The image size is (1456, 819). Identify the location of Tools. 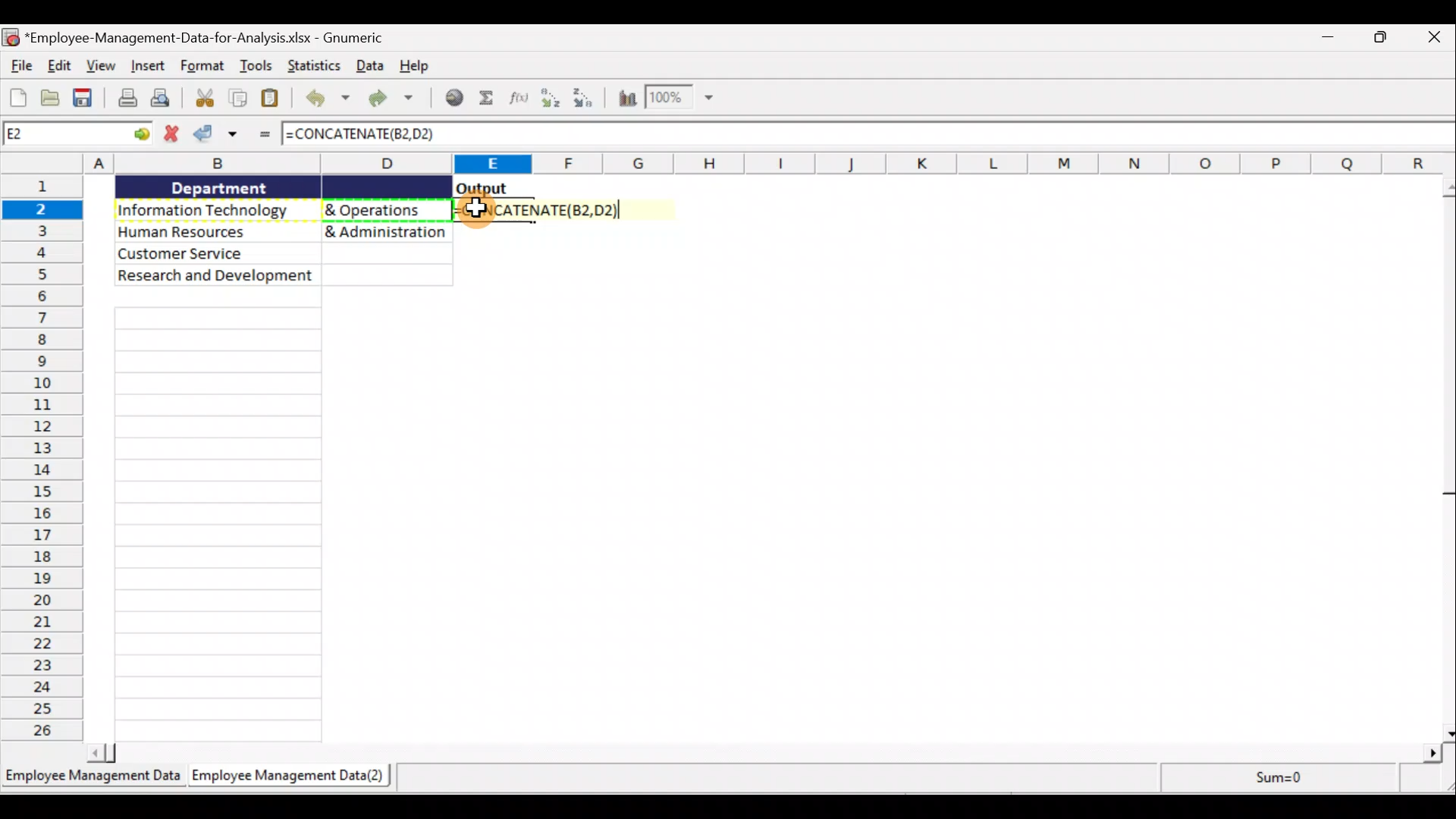
(258, 64).